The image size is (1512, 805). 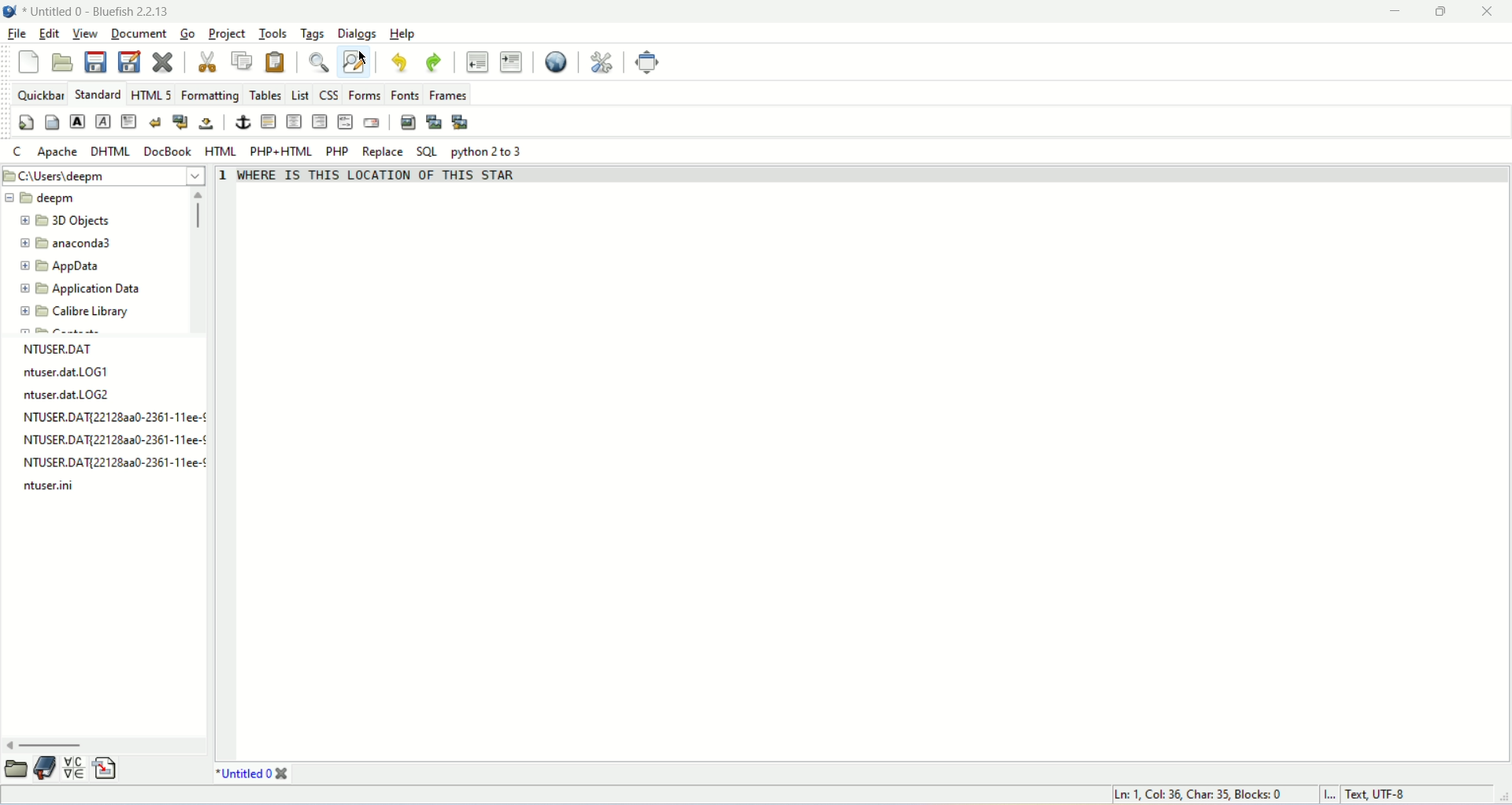 What do you see at coordinates (83, 33) in the screenshot?
I see `view` at bounding box center [83, 33].